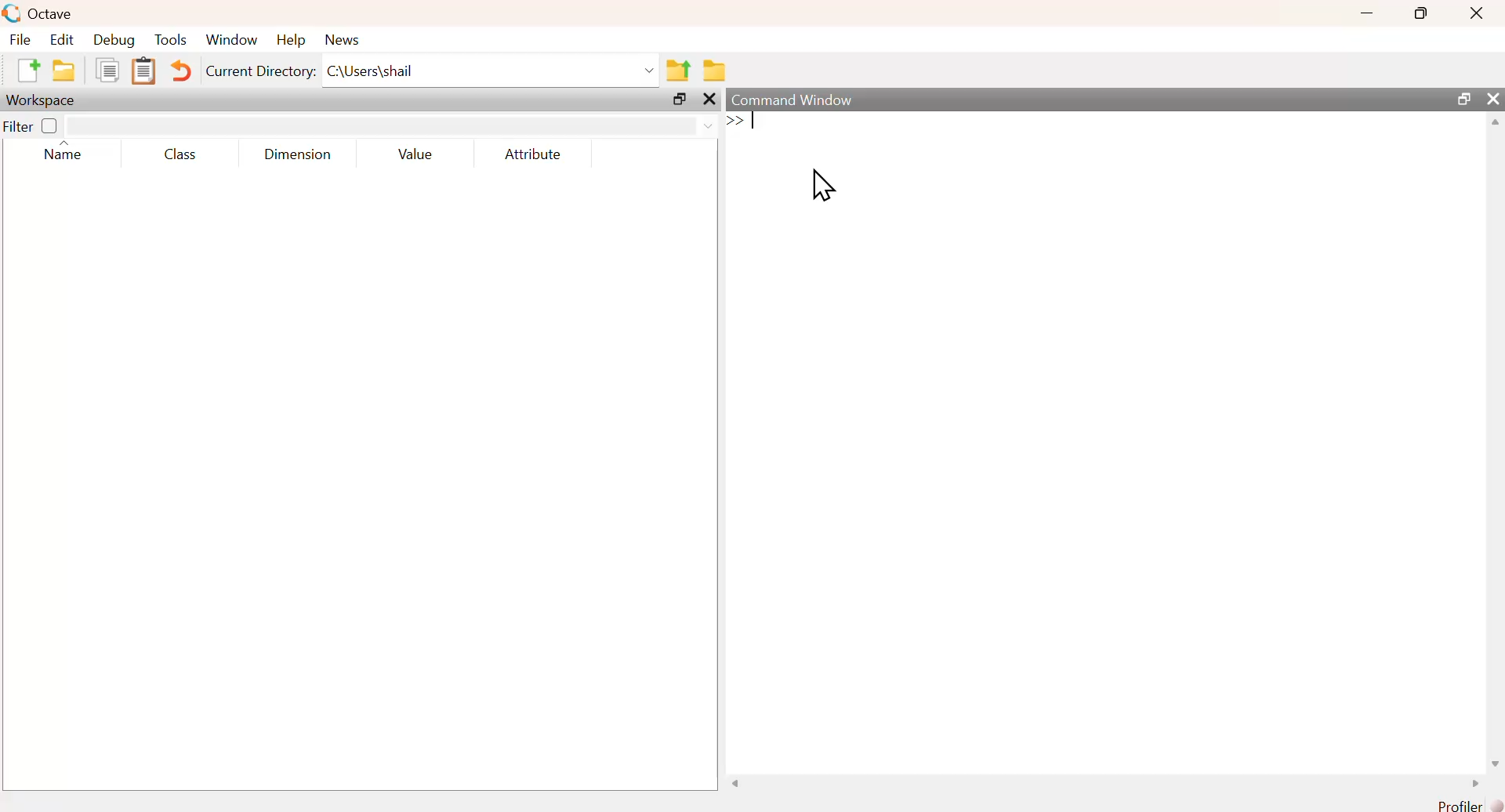 The image size is (1505, 812). What do you see at coordinates (20, 38) in the screenshot?
I see `File` at bounding box center [20, 38].